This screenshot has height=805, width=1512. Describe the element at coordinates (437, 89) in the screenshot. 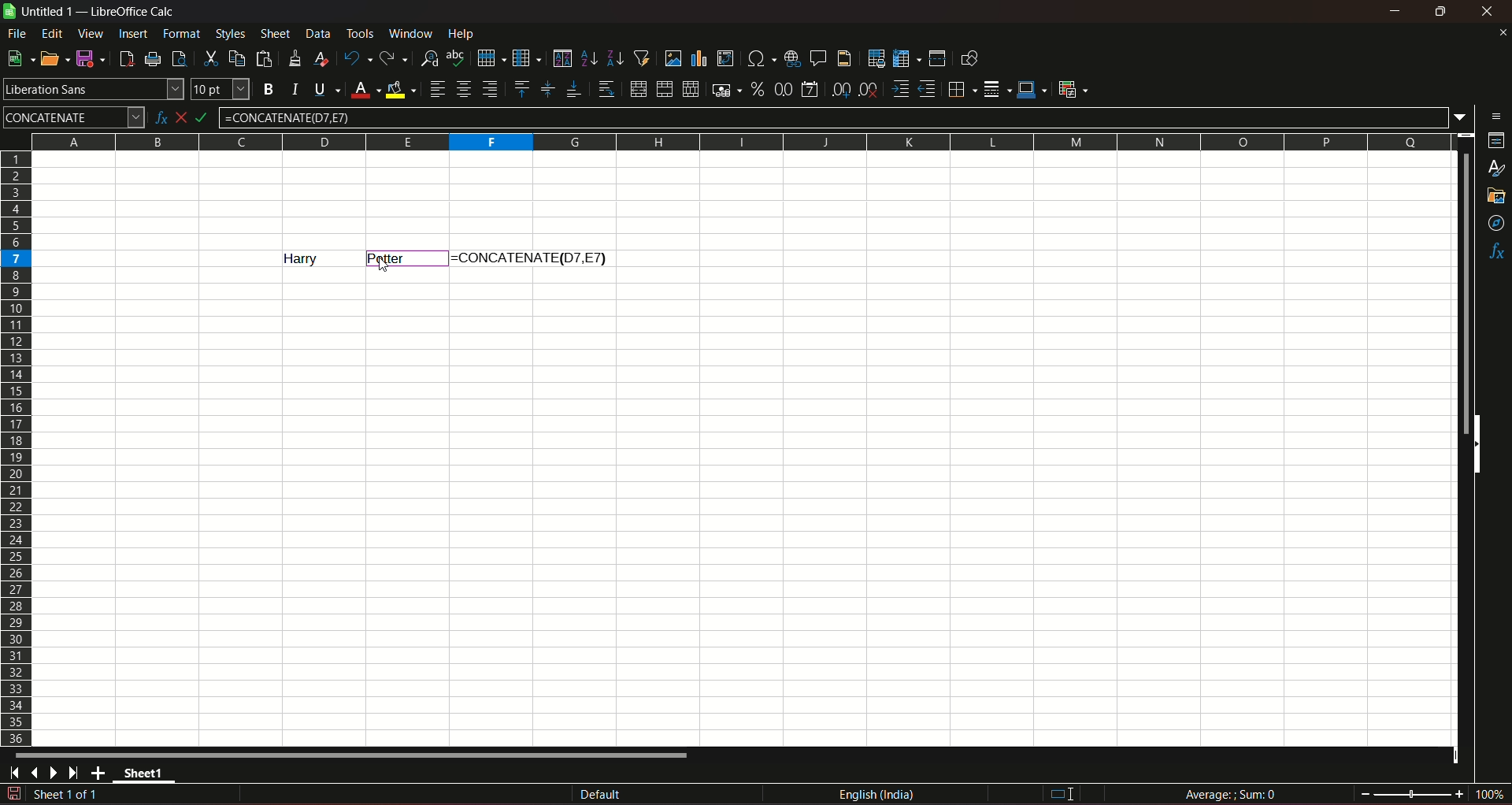

I see `align left` at that location.